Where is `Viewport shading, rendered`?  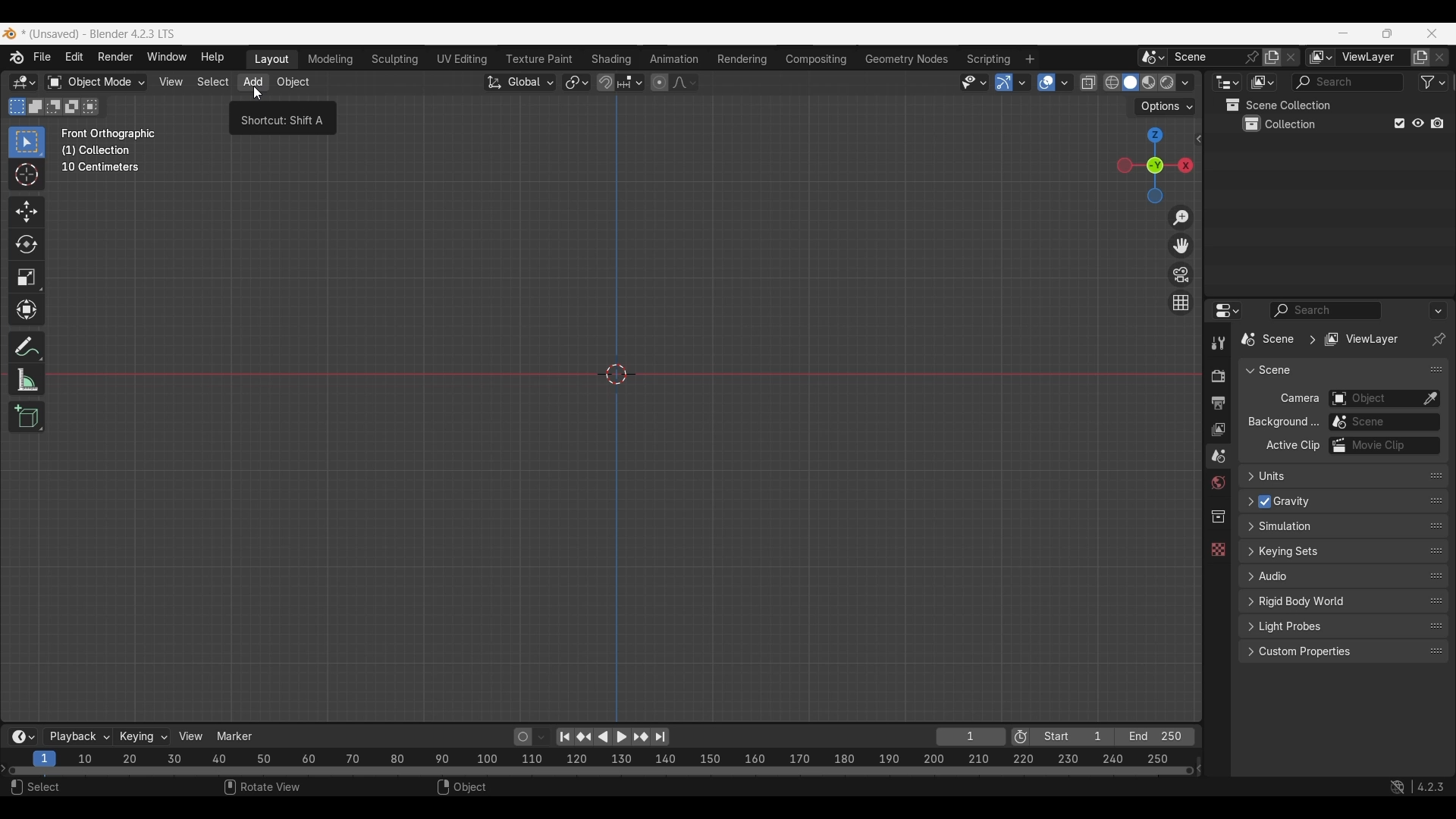 Viewport shading, rendered is located at coordinates (1166, 82).